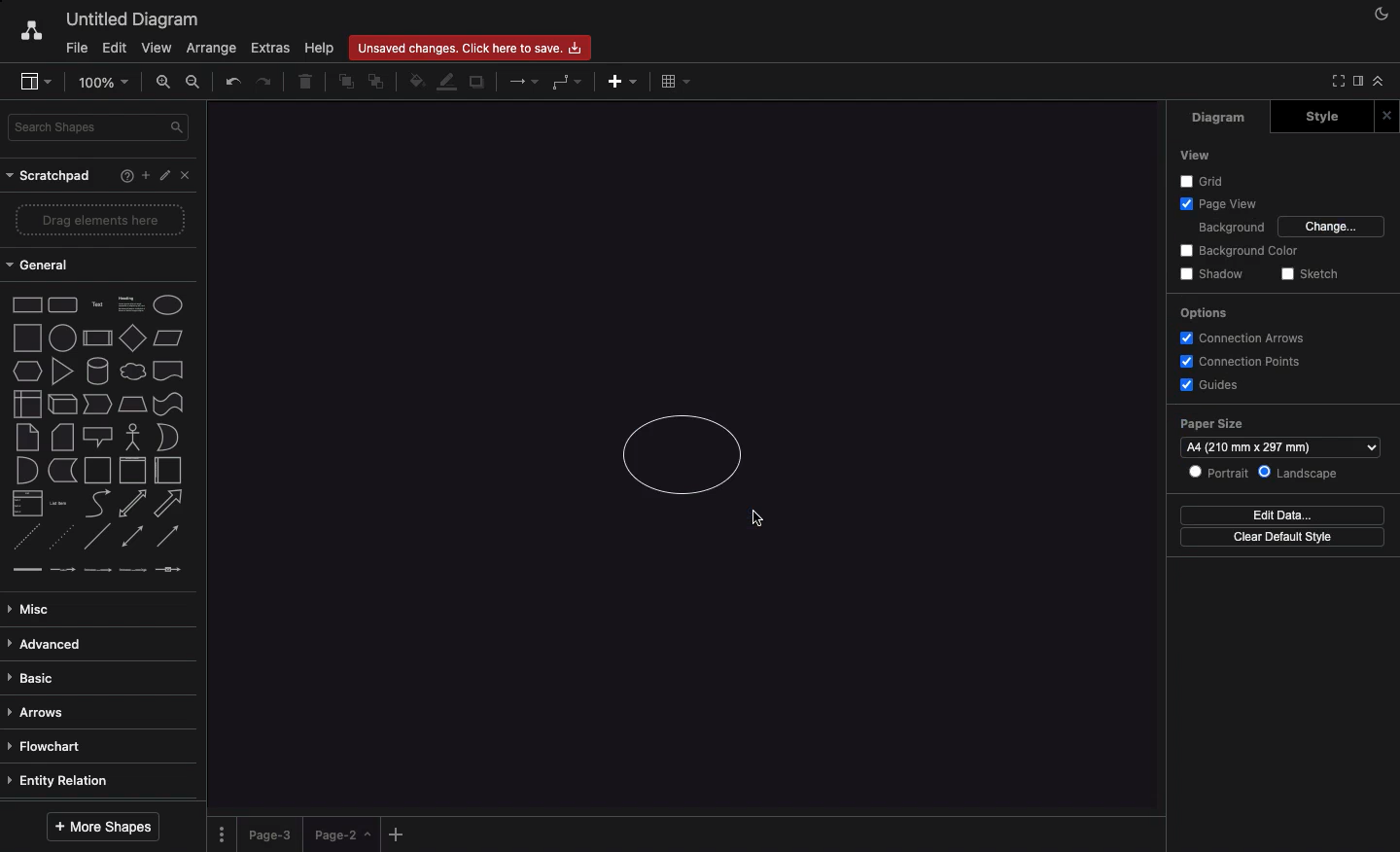 The image size is (1400, 852). Describe the element at coordinates (677, 81) in the screenshot. I see `Table` at that location.